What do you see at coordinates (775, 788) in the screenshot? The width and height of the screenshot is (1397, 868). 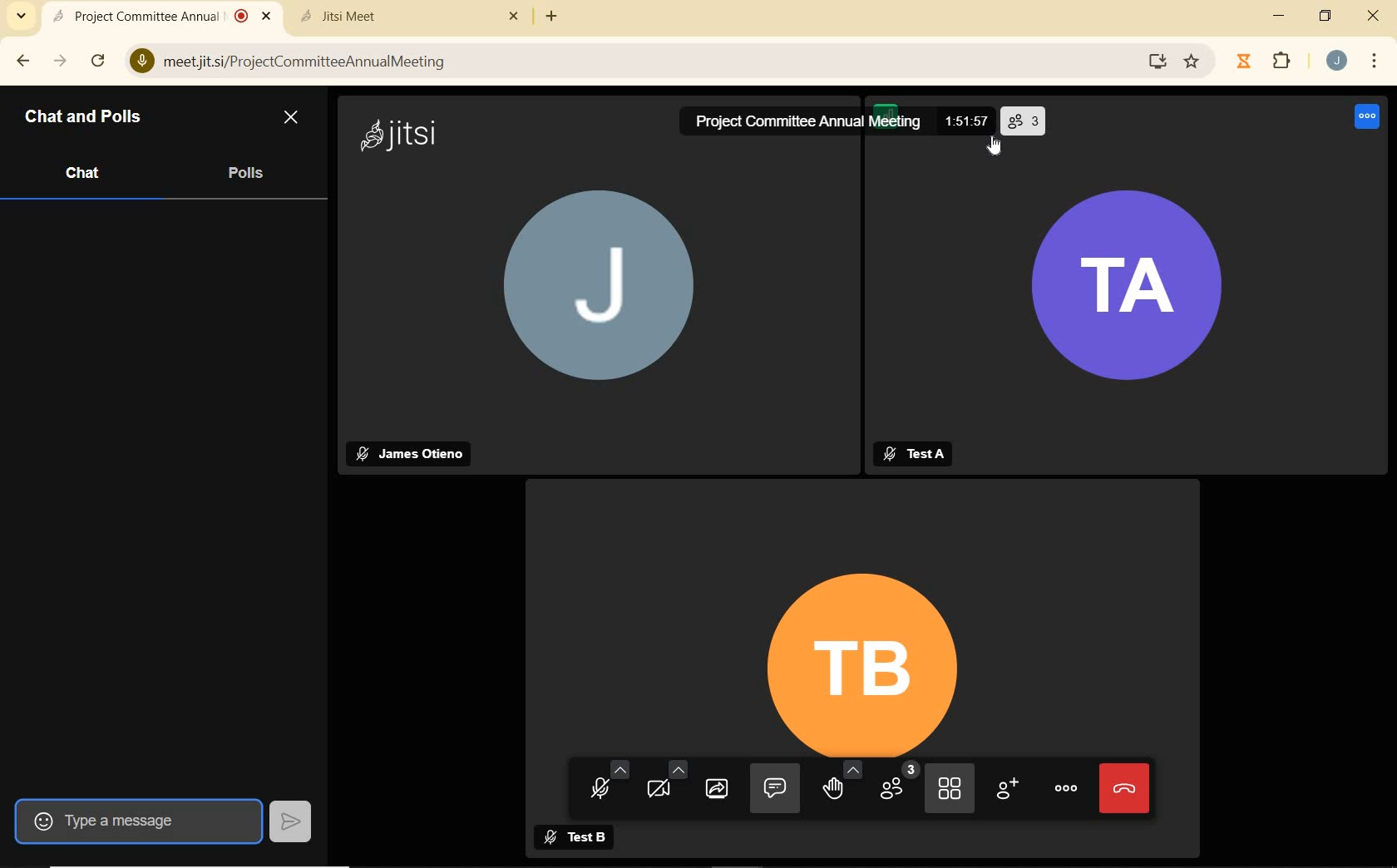 I see `open chat` at bounding box center [775, 788].